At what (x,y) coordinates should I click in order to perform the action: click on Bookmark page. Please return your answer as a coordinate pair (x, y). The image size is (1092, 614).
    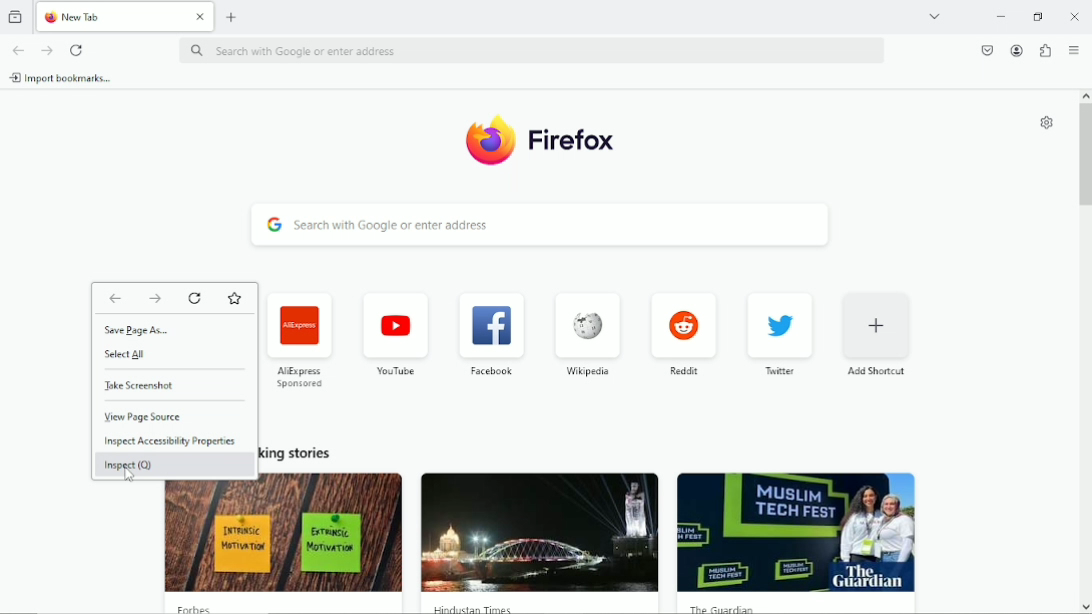
    Looking at the image, I should click on (234, 299).